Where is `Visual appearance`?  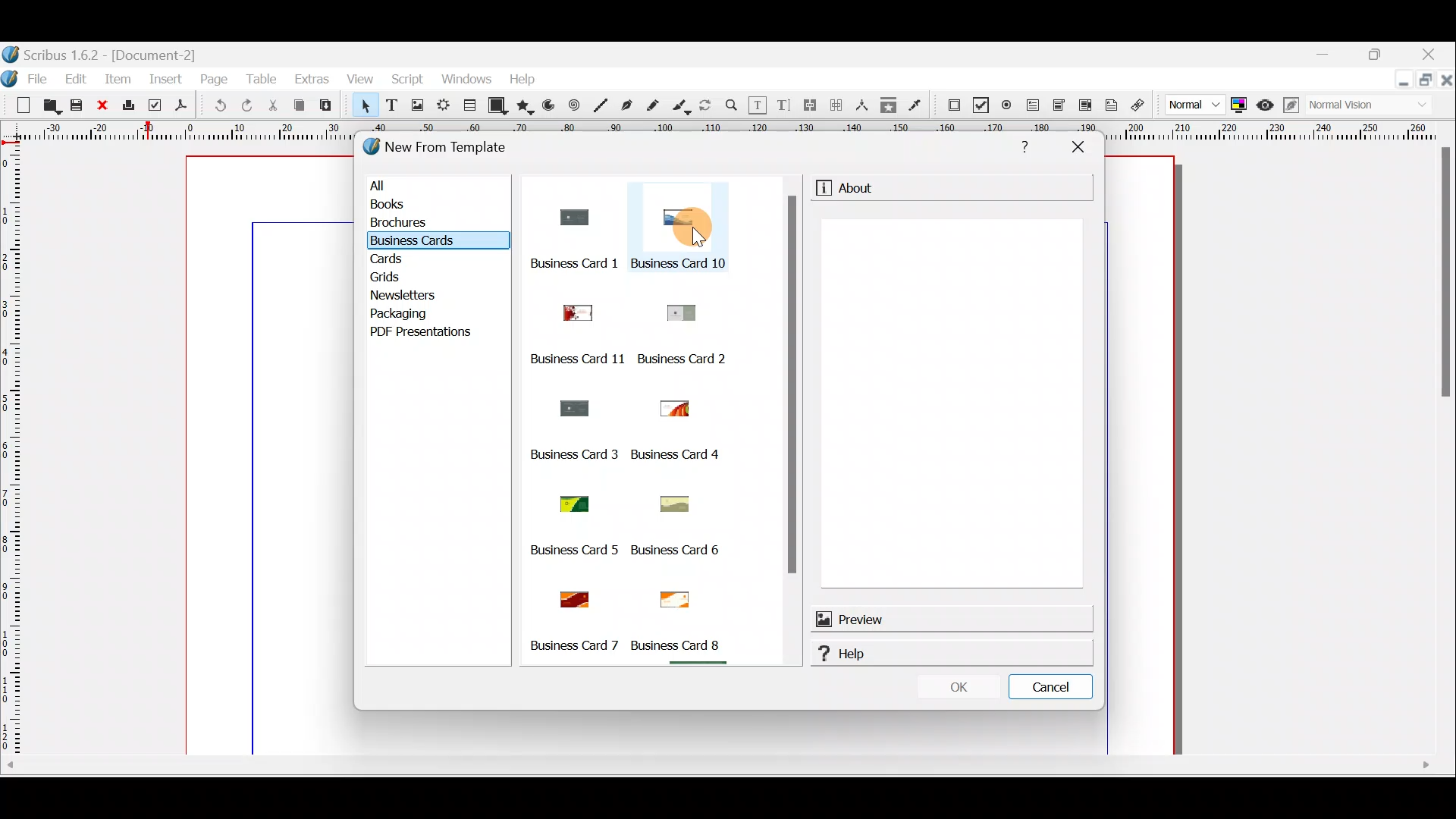
Visual appearance is located at coordinates (1343, 106).